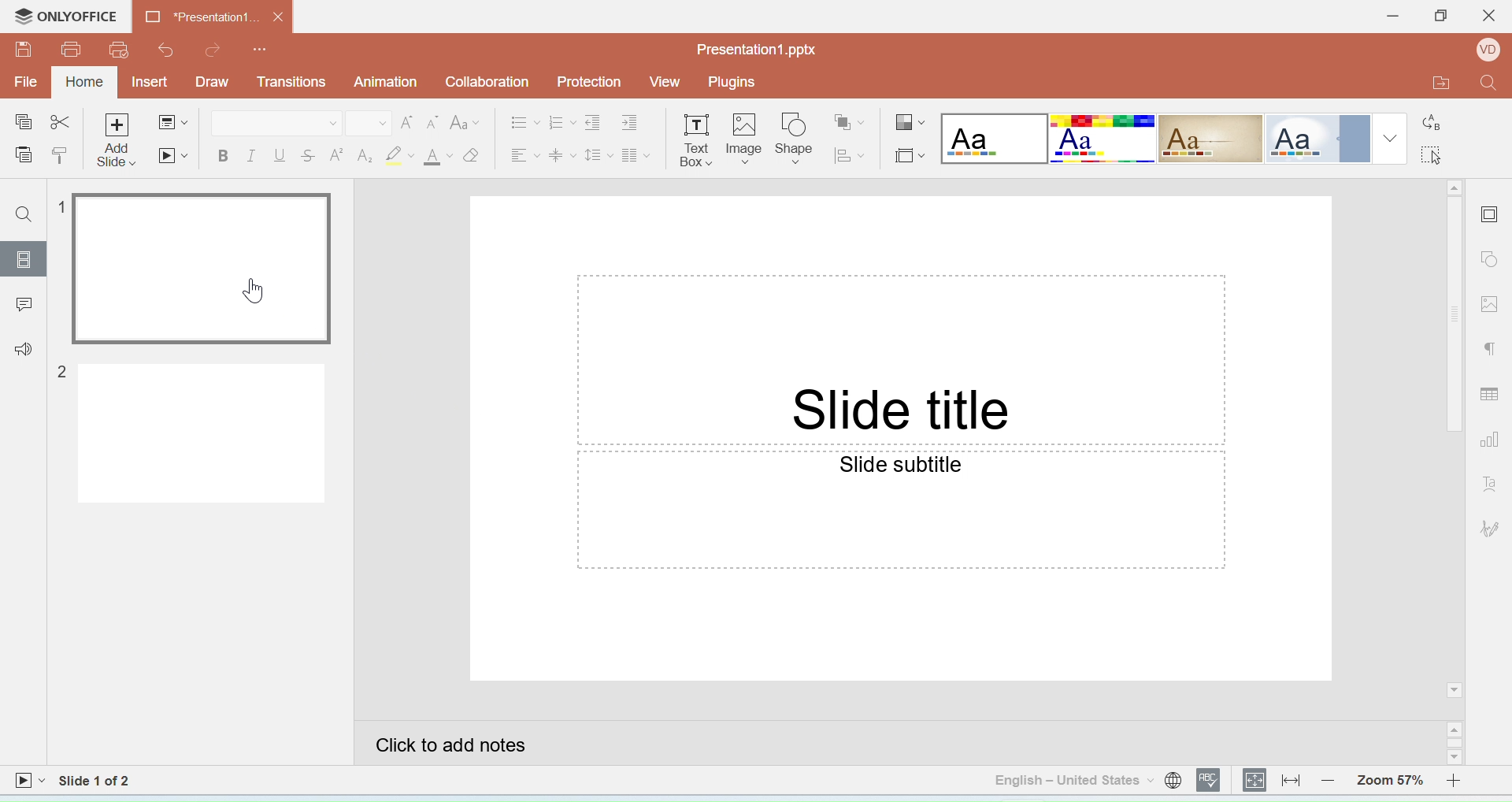 The width and height of the screenshot is (1512, 802). I want to click on Copy style, so click(60, 157).